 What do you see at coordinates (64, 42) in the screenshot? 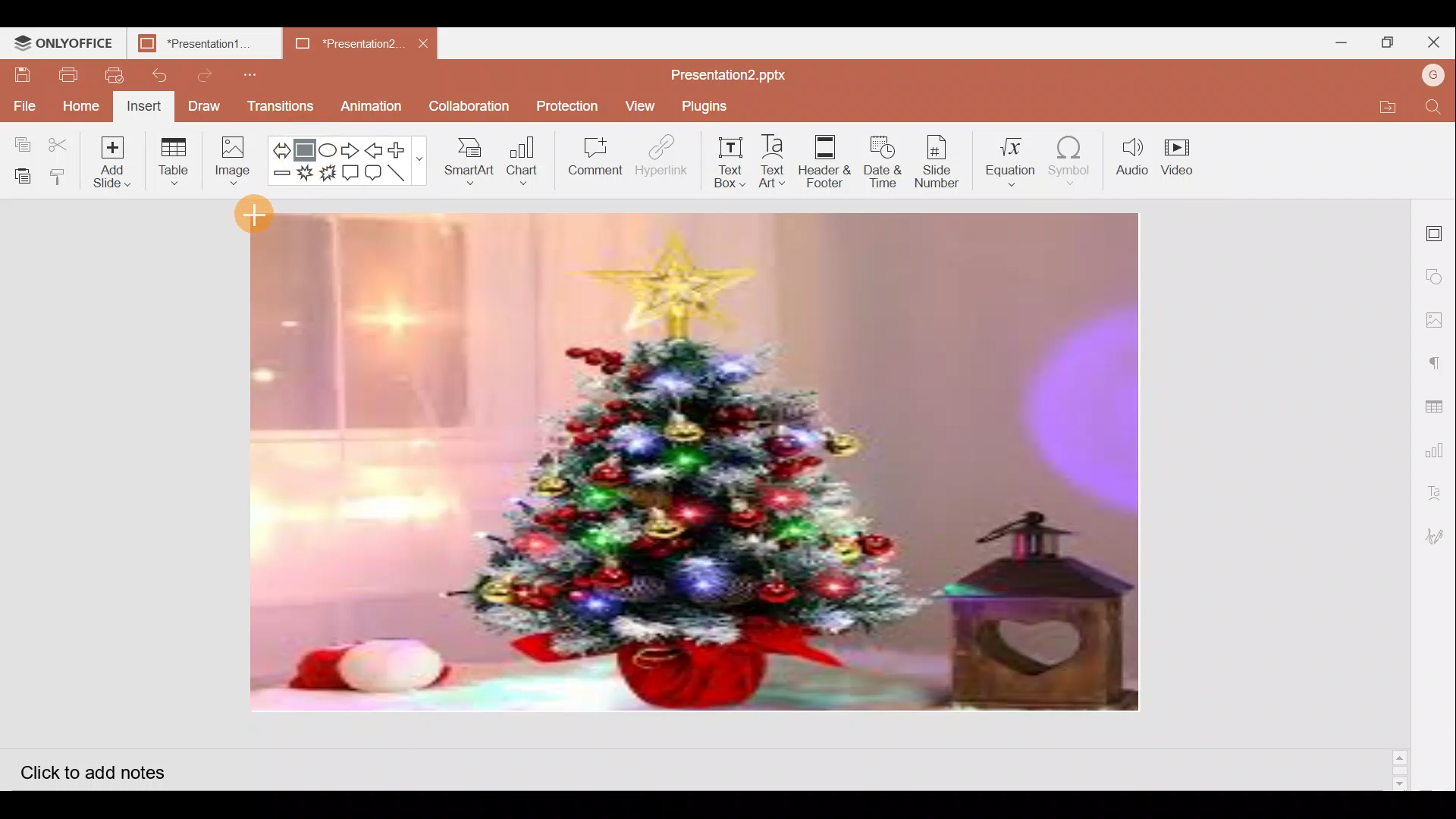
I see `ONLYOFFICE` at bounding box center [64, 42].